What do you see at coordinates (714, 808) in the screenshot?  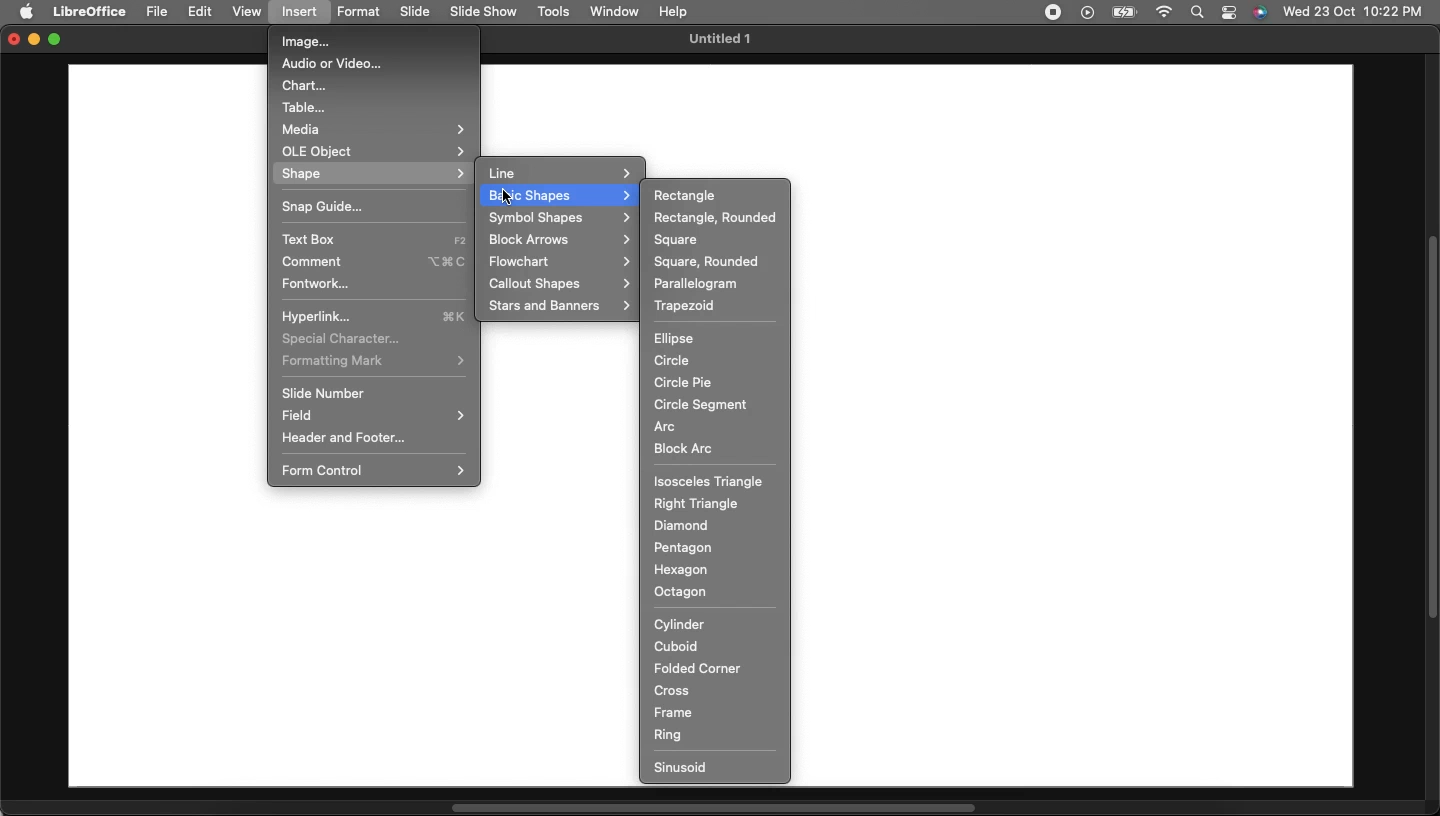 I see `Scroll` at bounding box center [714, 808].